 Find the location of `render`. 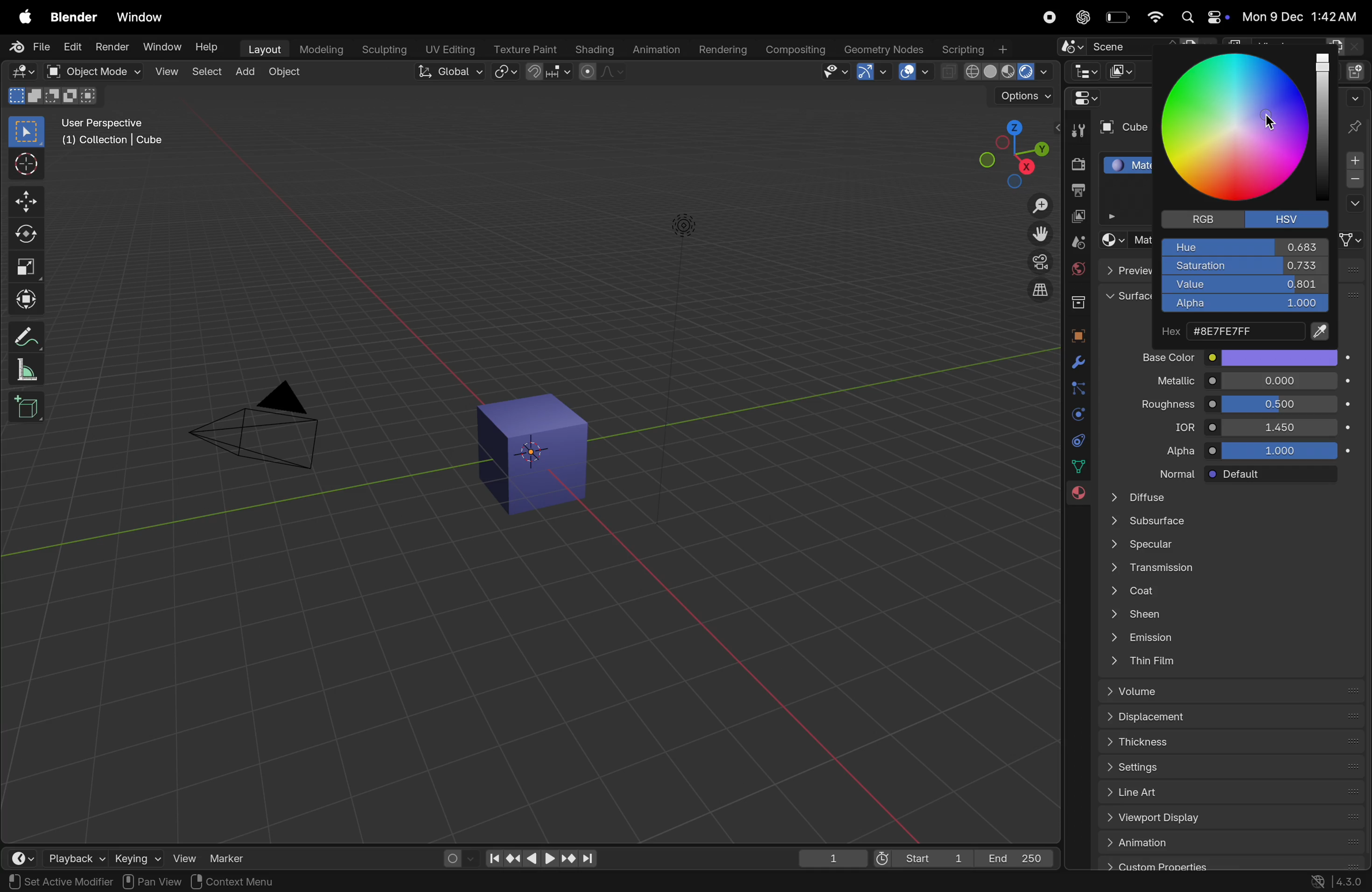

render is located at coordinates (112, 46).